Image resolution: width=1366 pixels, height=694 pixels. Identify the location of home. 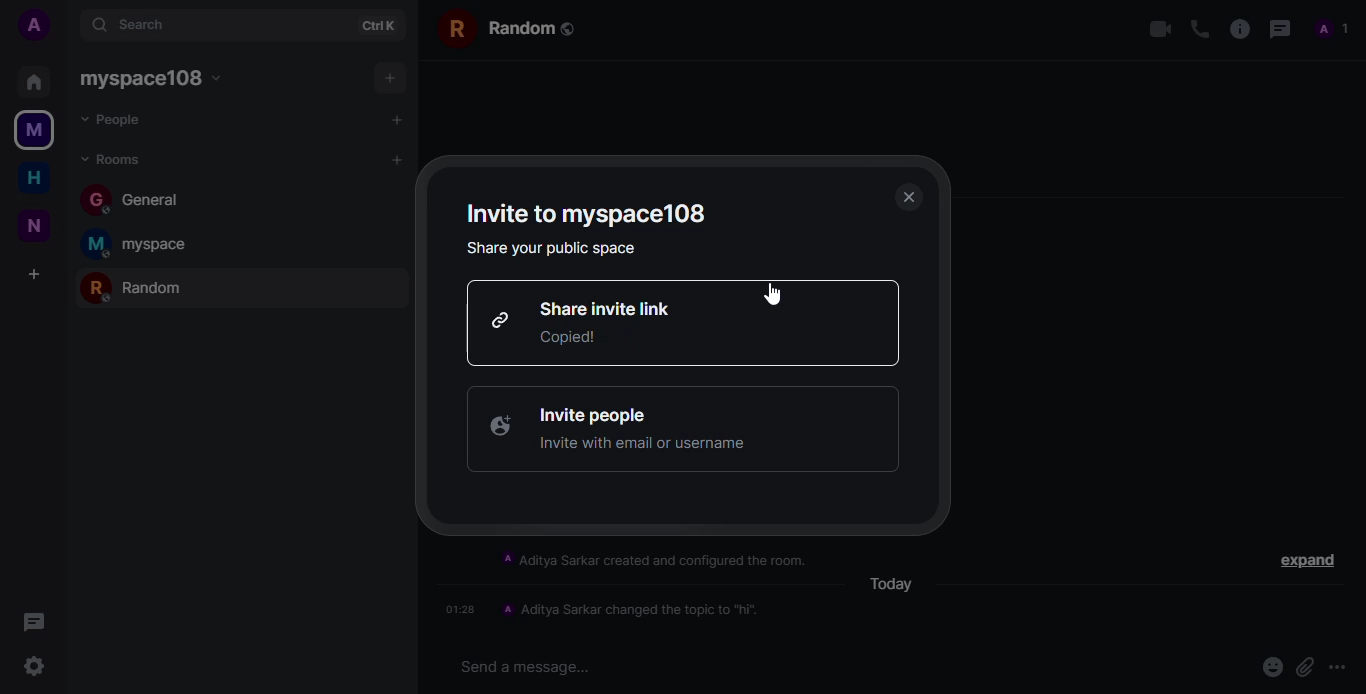
(33, 179).